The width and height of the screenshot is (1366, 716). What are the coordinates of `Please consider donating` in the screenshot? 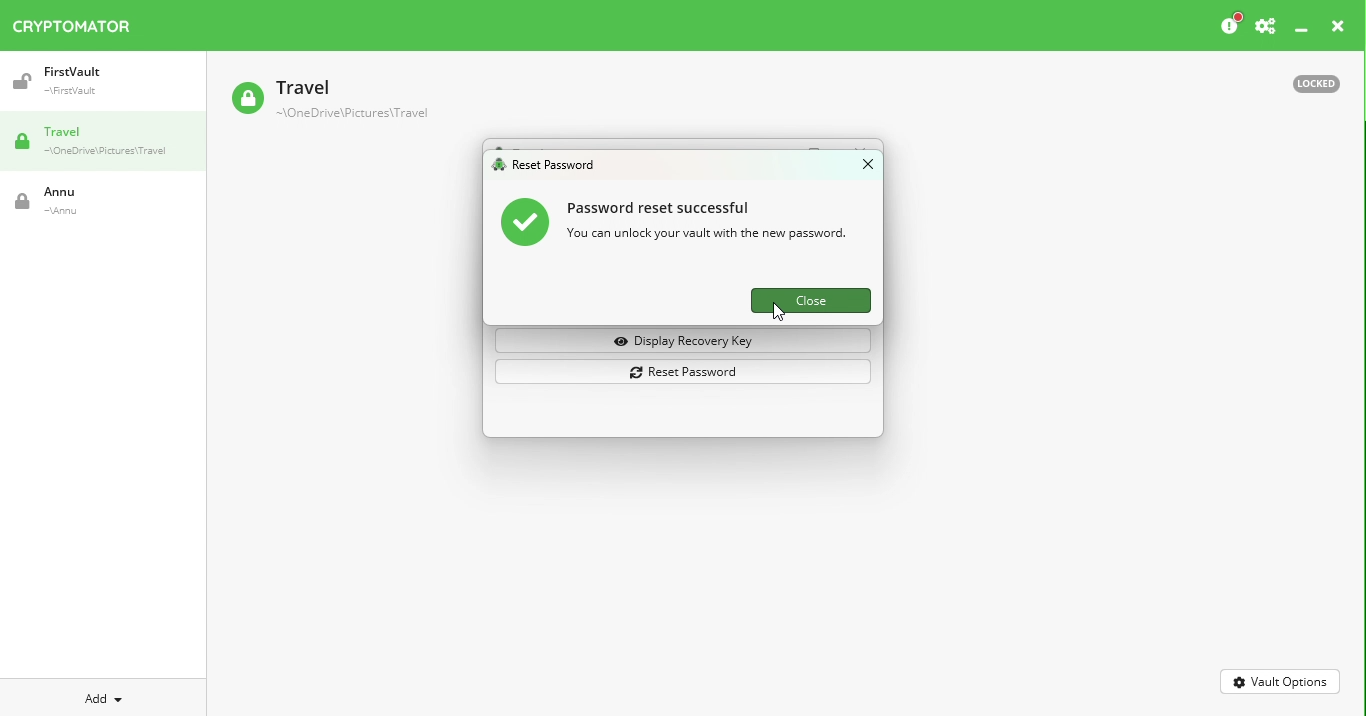 It's located at (1229, 25).